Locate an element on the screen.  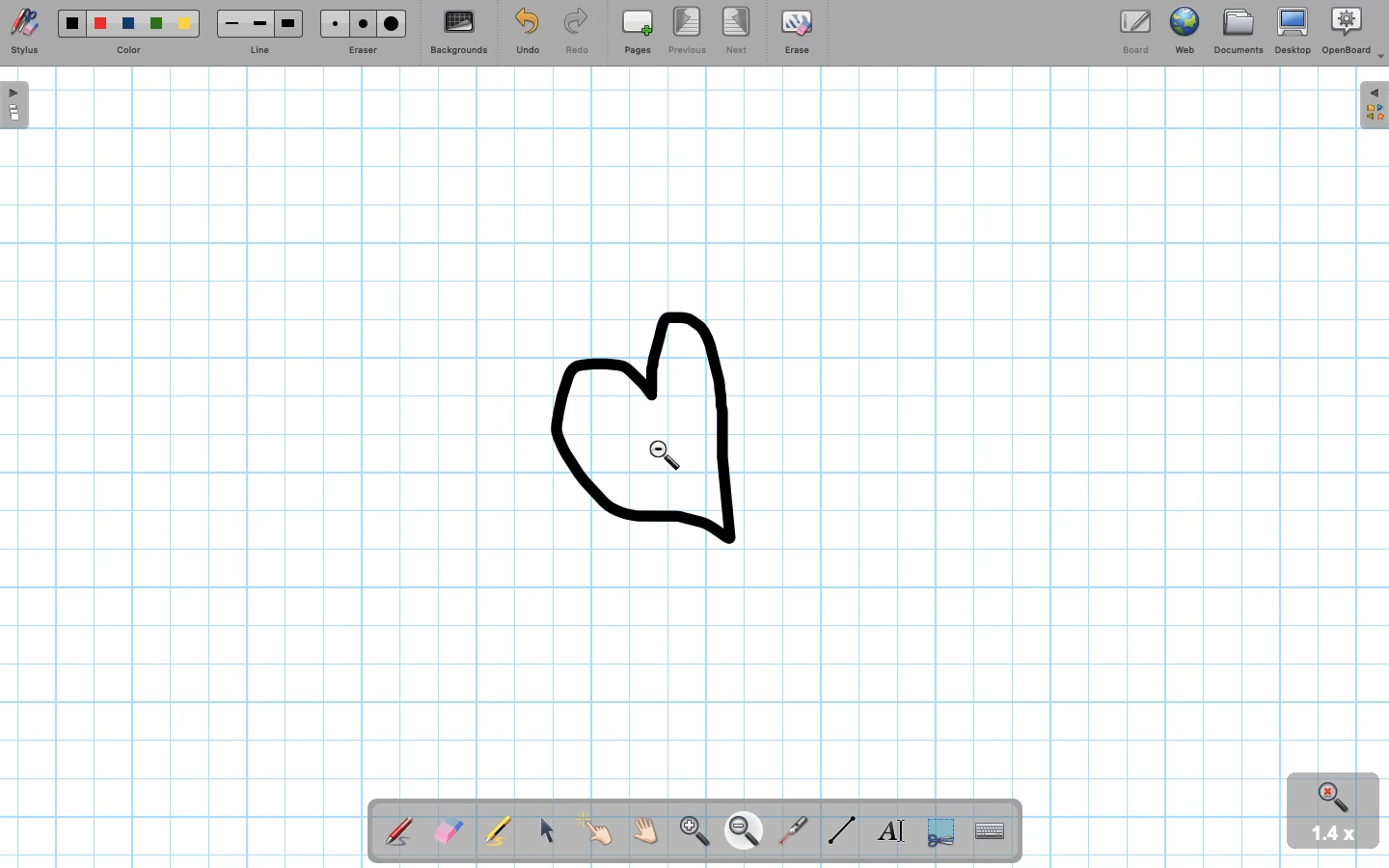
Pointer is located at coordinates (598, 830).